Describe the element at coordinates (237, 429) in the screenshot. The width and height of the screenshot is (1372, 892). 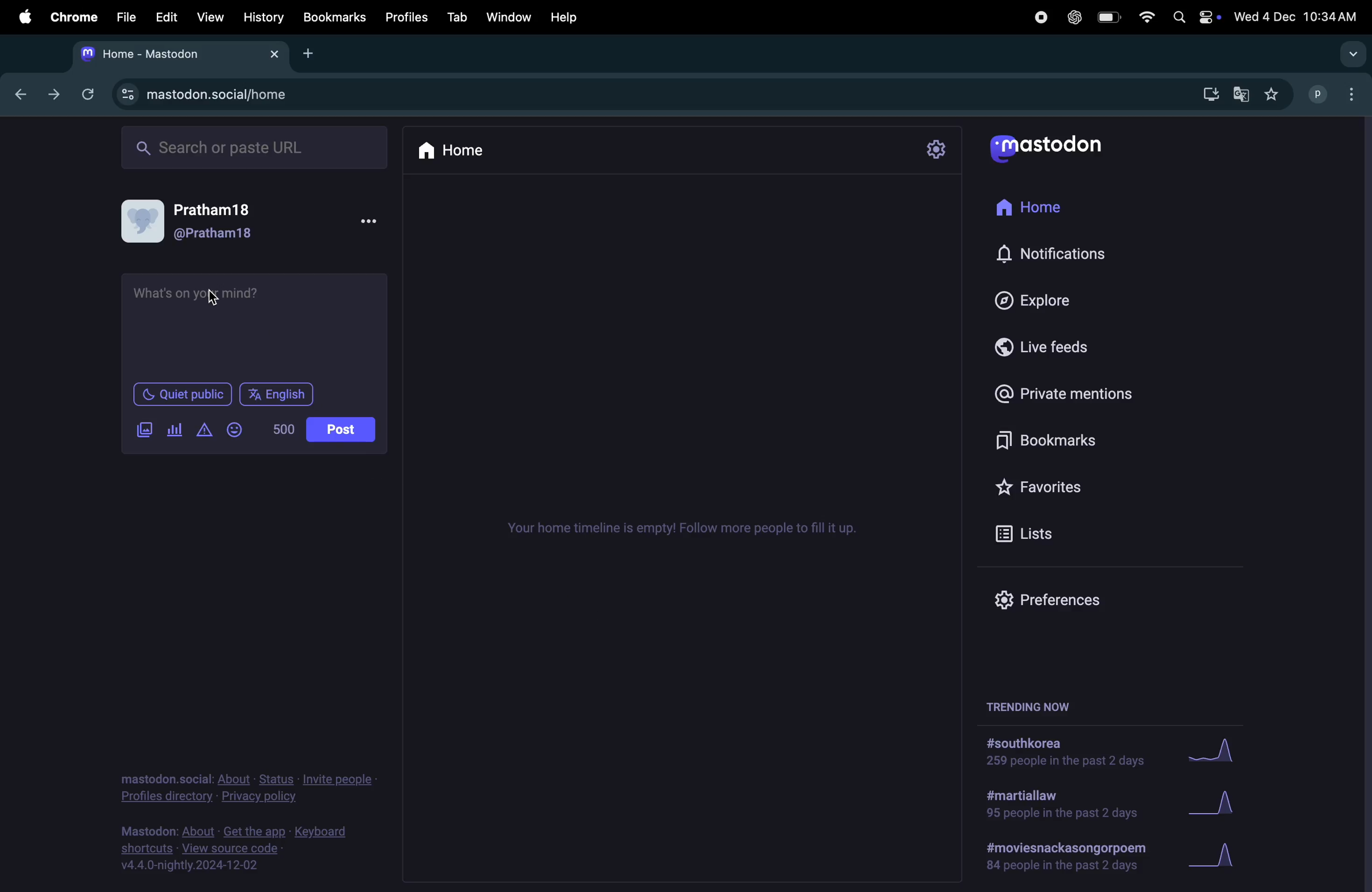
I see `emojis` at that location.